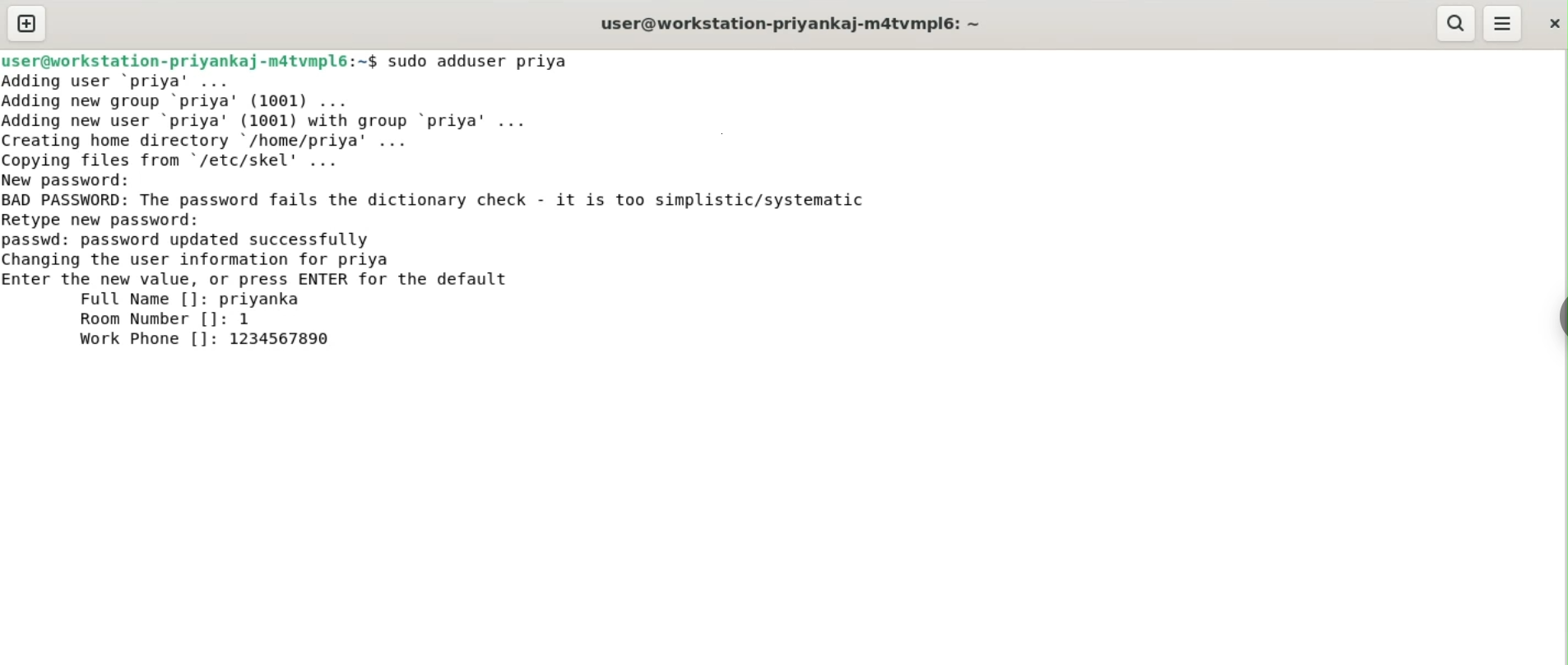 This screenshot has width=1568, height=665. Describe the element at coordinates (1552, 19) in the screenshot. I see `close` at that location.